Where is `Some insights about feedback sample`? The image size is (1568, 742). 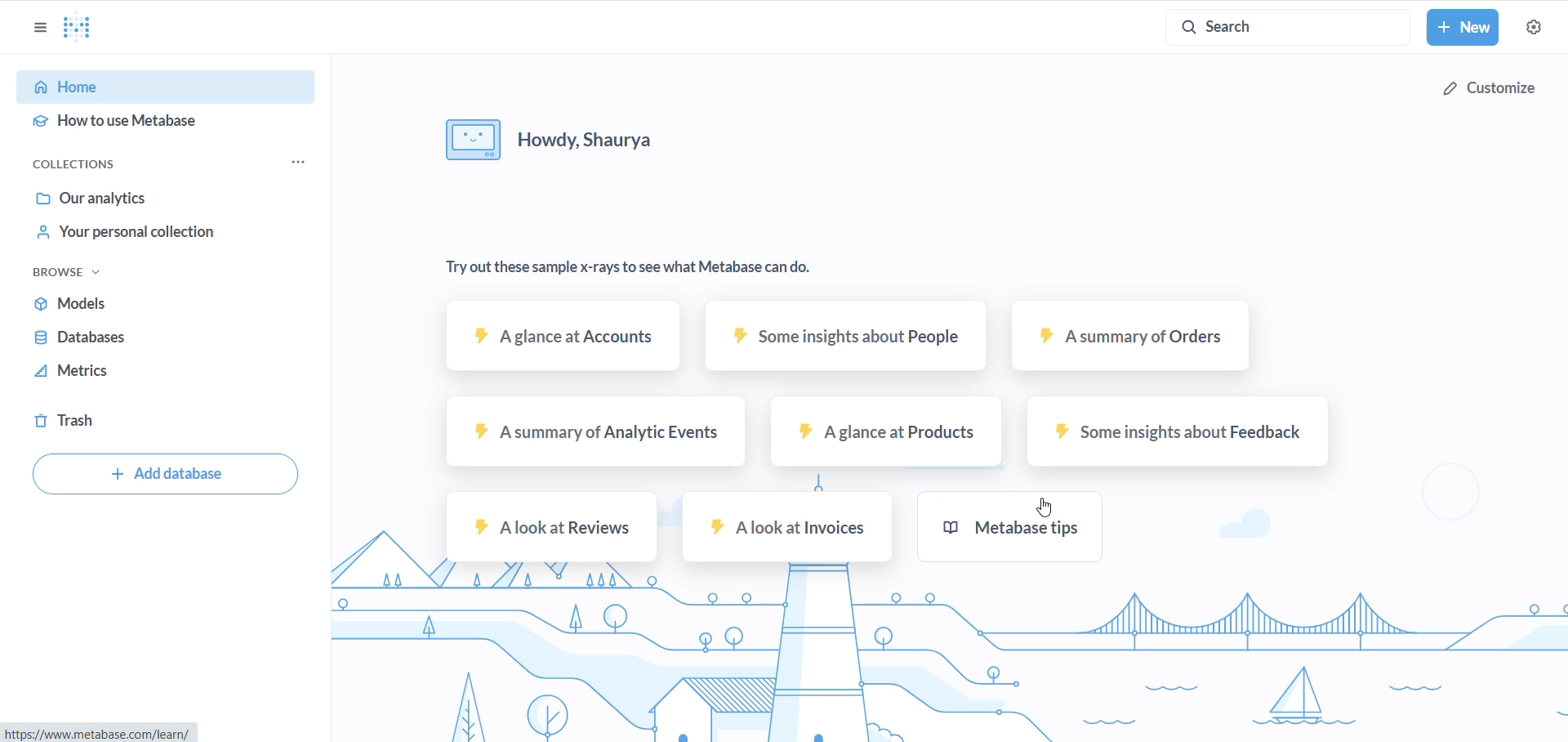 Some insights about feedback sample is located at coordinates (1175, 436).